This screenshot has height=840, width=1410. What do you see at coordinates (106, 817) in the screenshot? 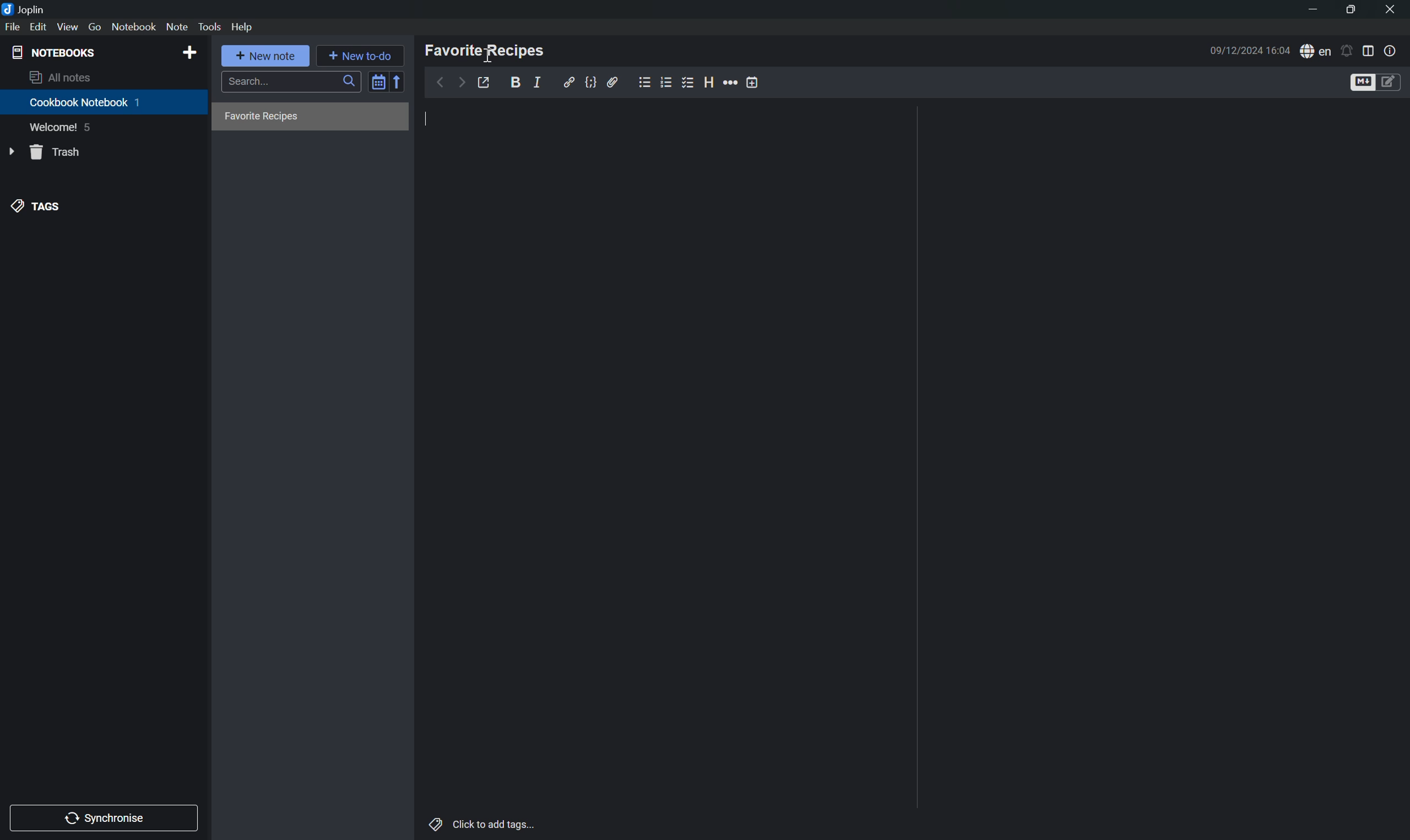
I see `Synchronise` at bounding box center [106, 817].